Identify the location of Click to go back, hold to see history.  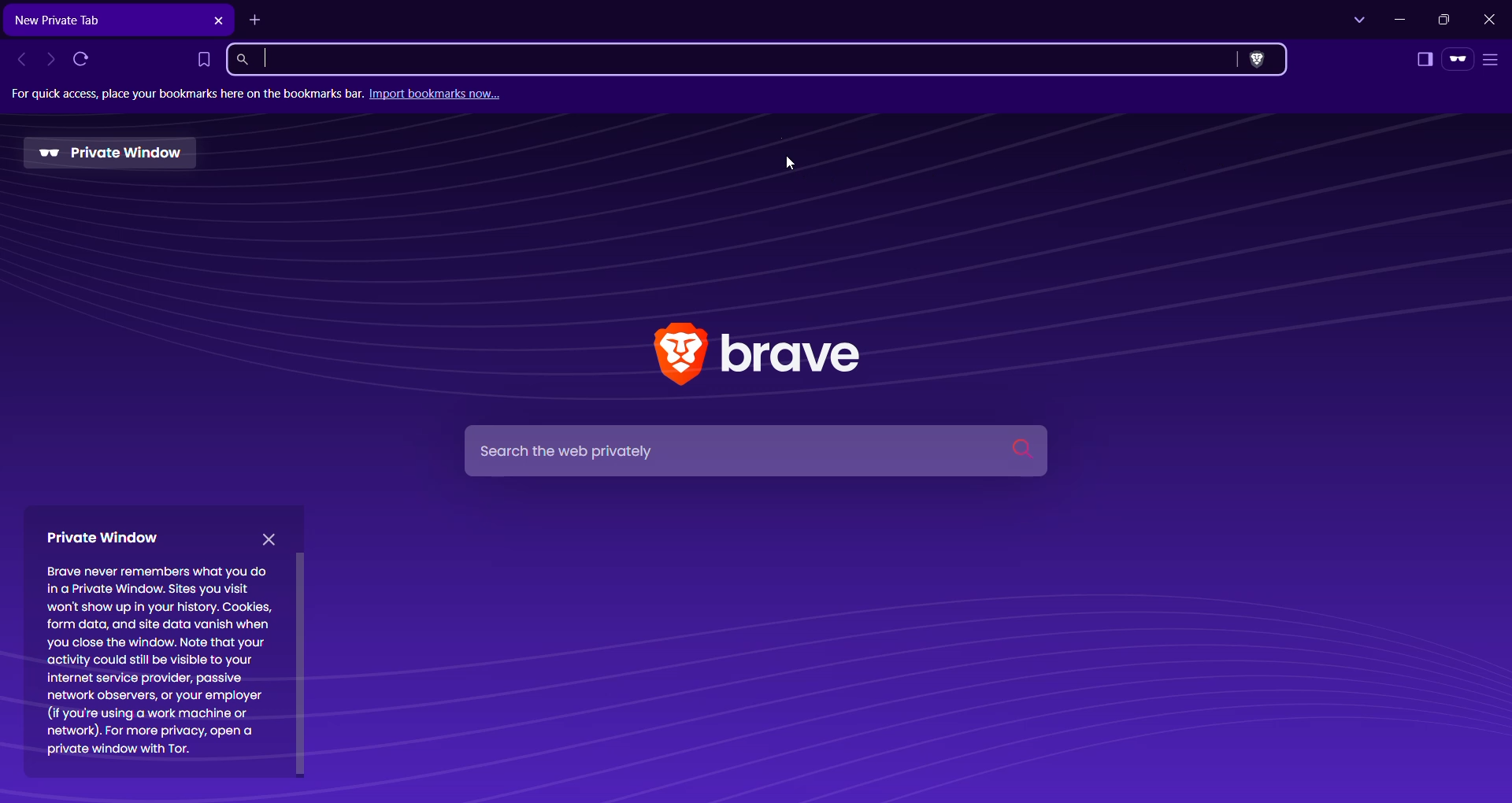
(21, 61).